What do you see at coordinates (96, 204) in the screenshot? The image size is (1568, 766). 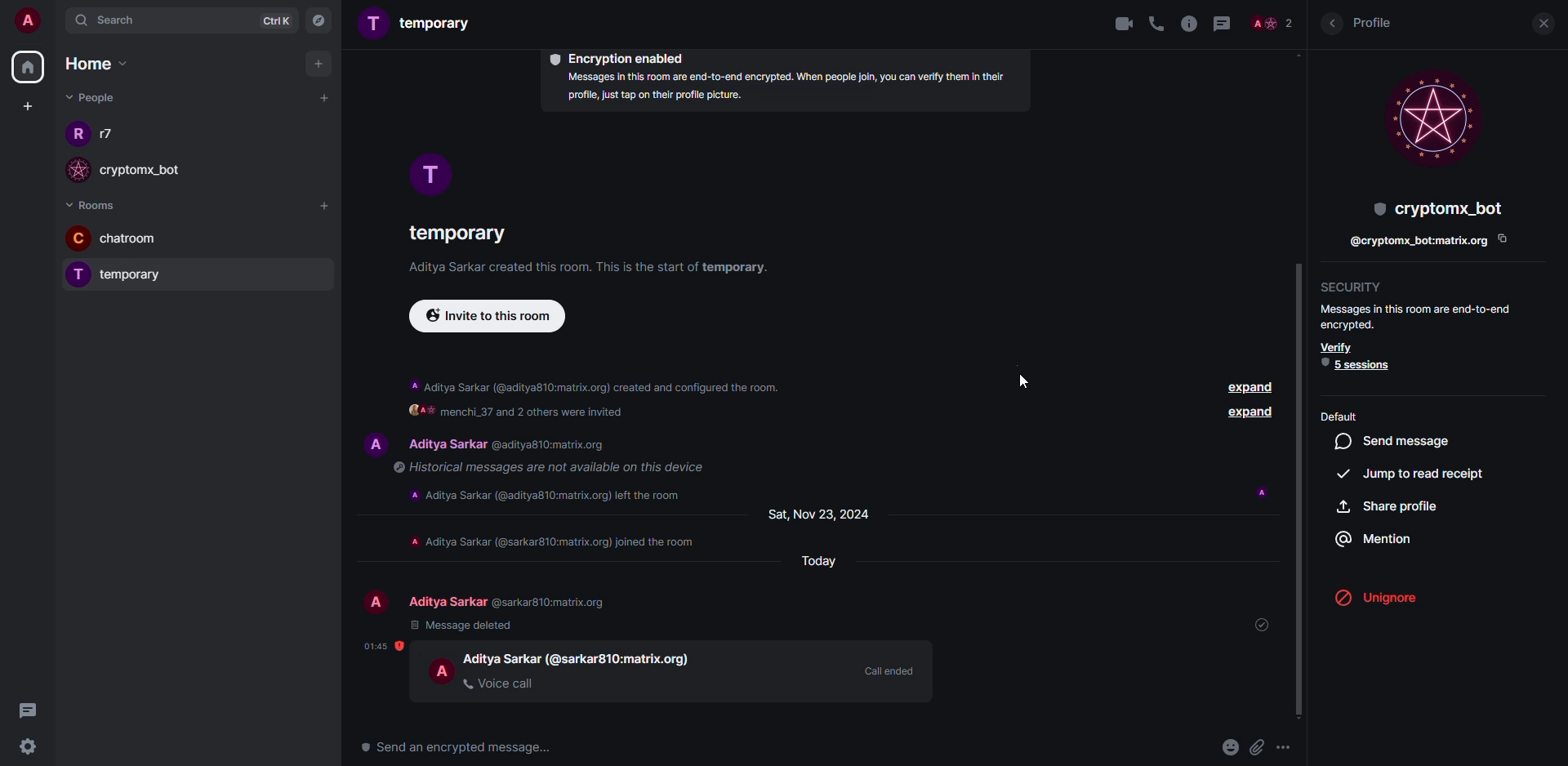 I see `rooms` at bounding box center [96, 204].